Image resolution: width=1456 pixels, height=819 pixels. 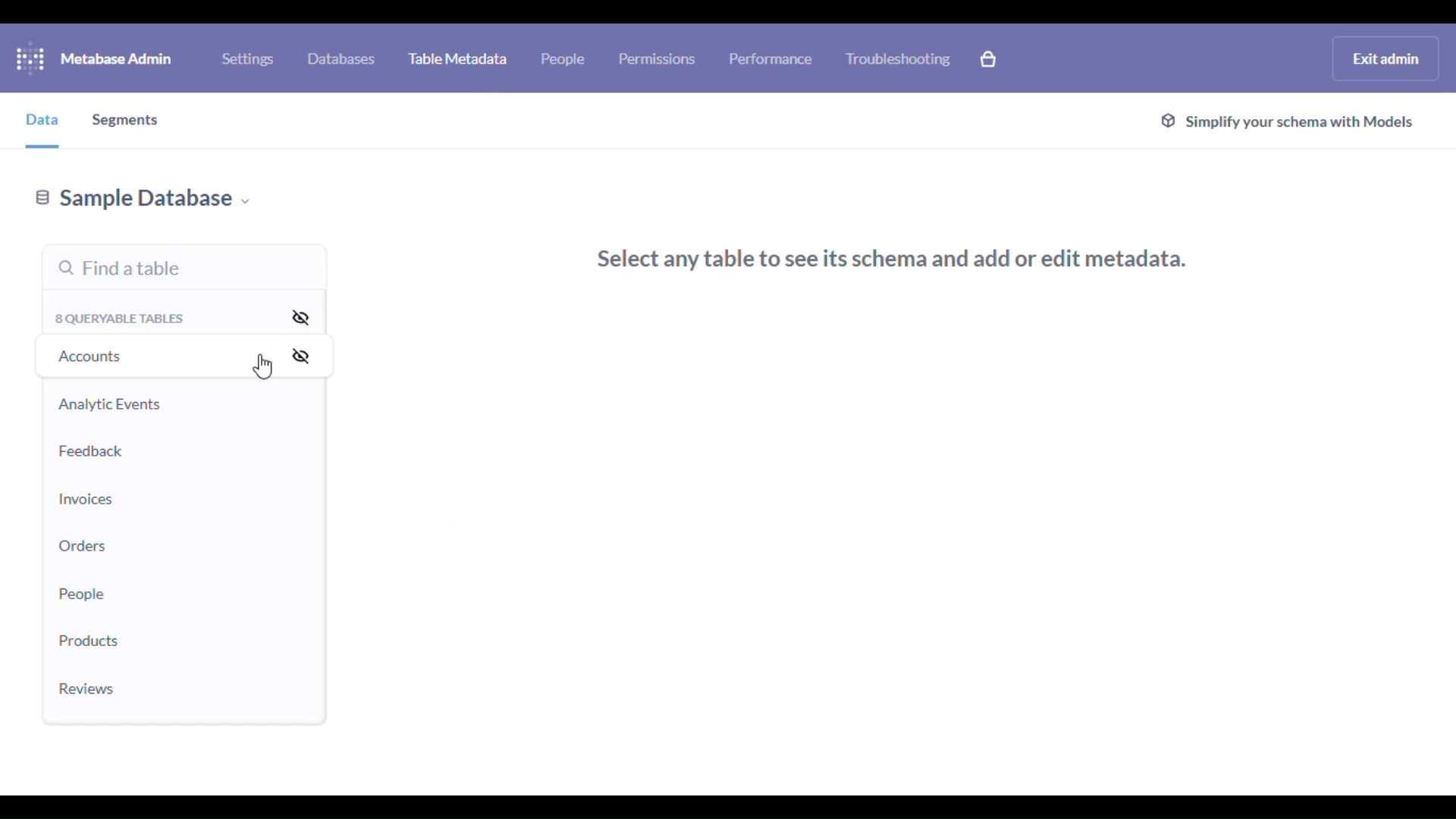 I want to click on people, so click(x=563, y=58).